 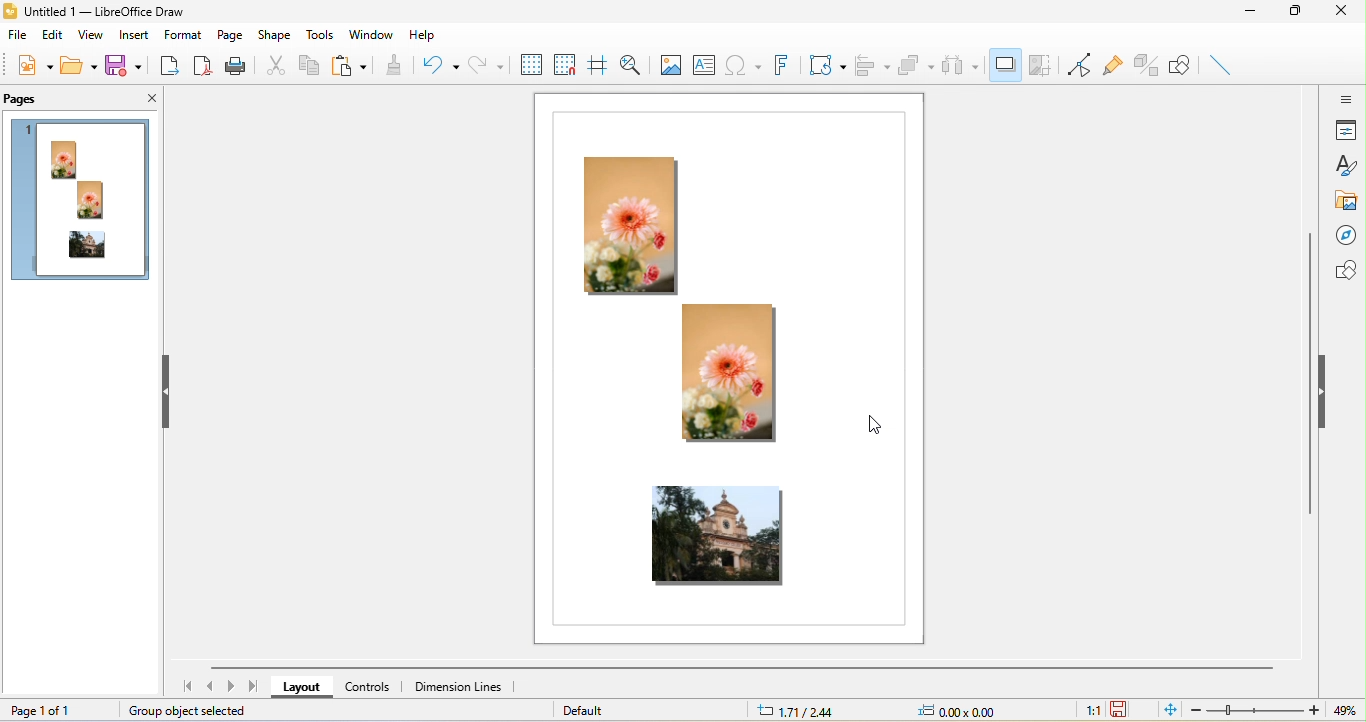 I want to click on redo, so click(x=485, y=63).